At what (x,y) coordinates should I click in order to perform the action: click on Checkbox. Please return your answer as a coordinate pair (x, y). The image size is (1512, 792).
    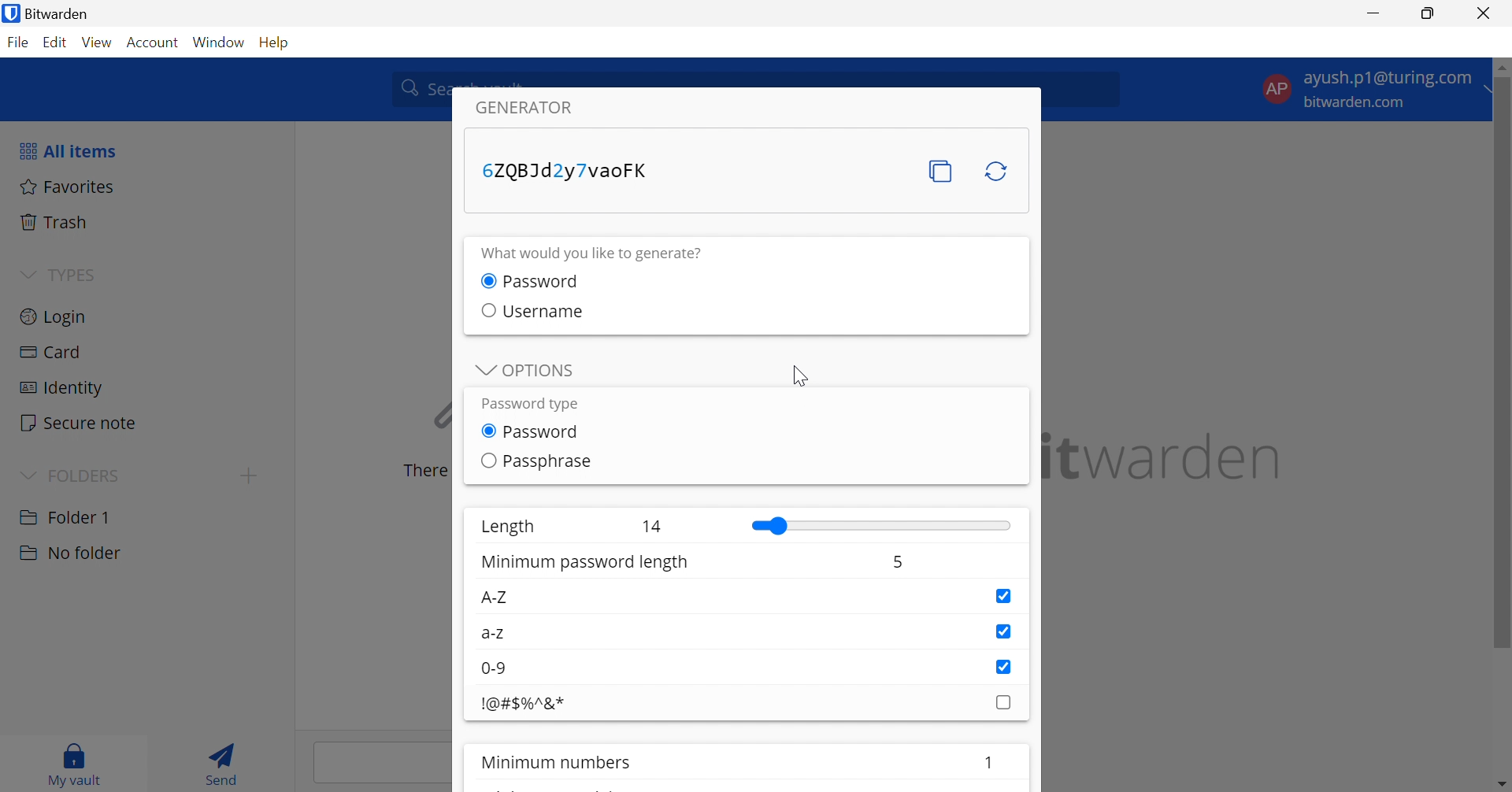
    Looking at the image, I should click on (1004, 702).